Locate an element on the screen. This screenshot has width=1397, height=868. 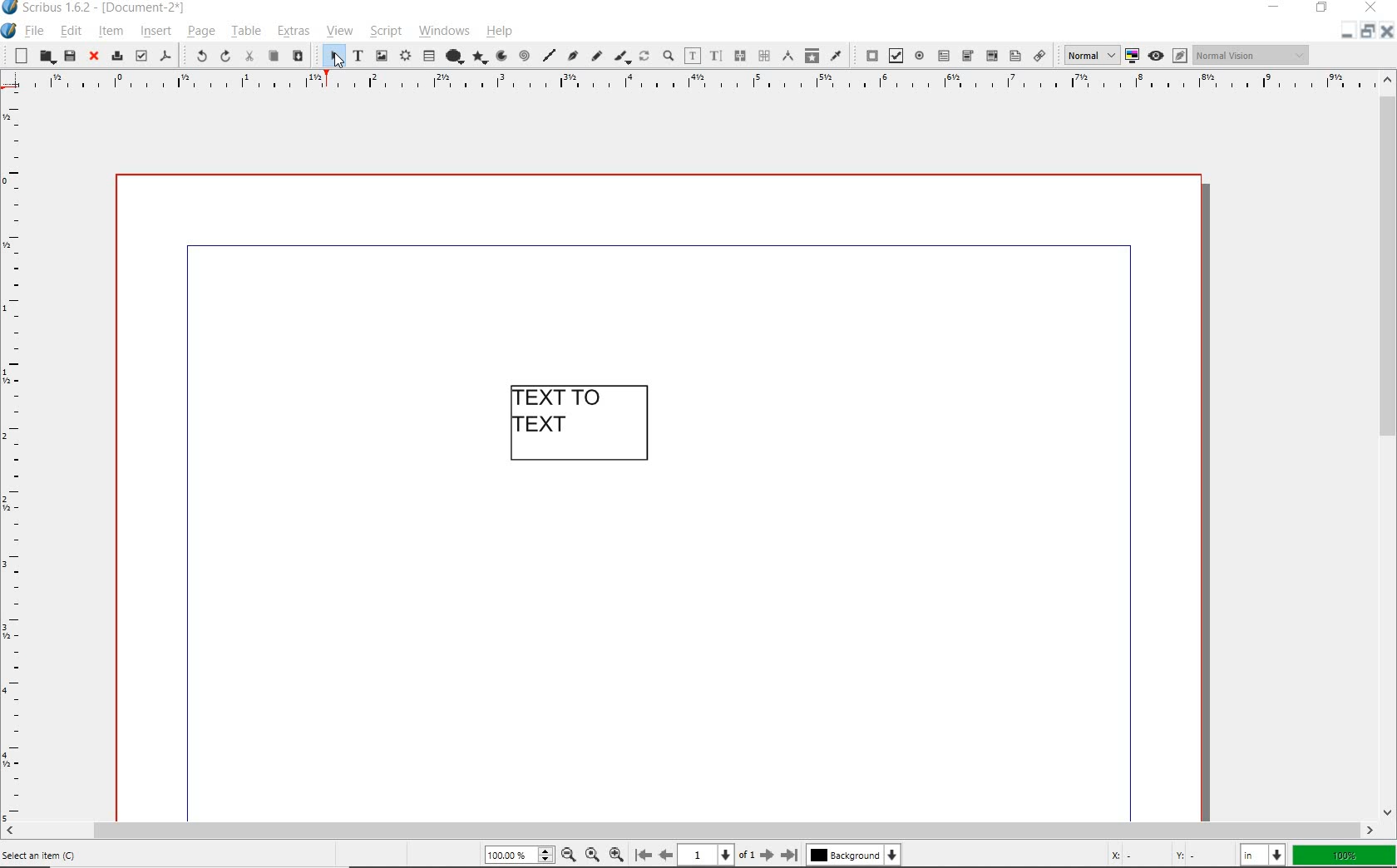
edit is located at coordinates (72, 31).